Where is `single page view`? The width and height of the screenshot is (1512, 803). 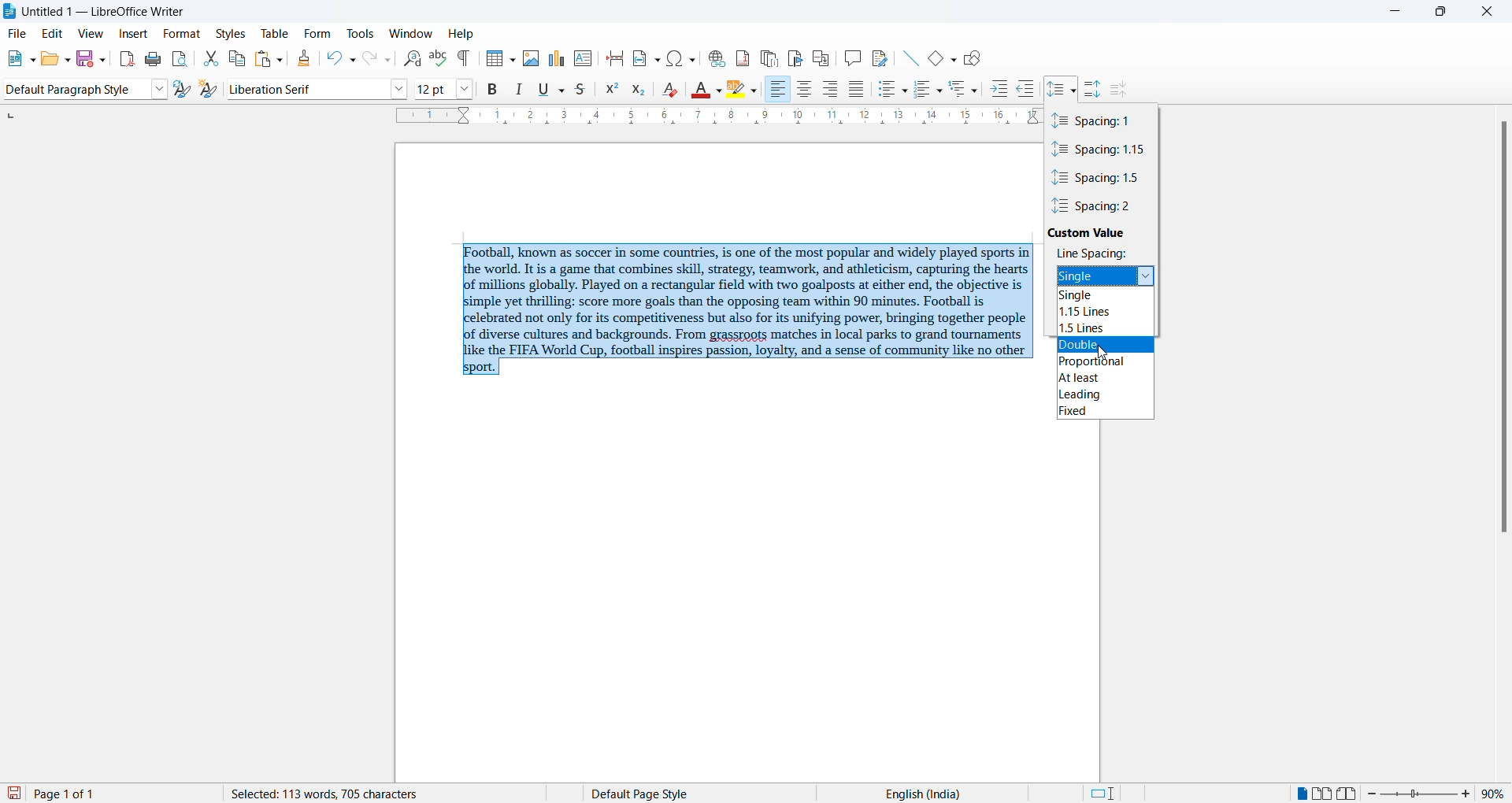 single page view is located at coordinates (1299, 794).